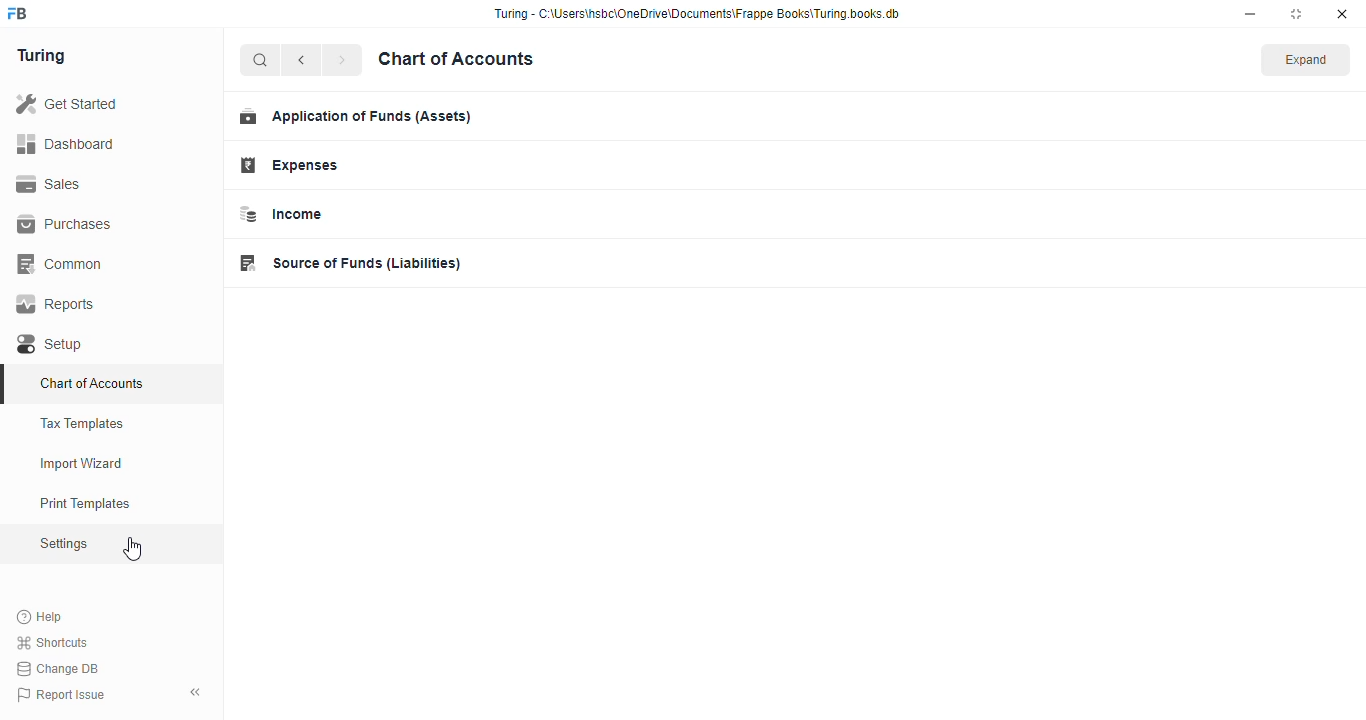 The image size is (1366, 720). What do you see at coordinates (56, 304) in the screenshot?
I see `reports` at bounding box center [56, 304].